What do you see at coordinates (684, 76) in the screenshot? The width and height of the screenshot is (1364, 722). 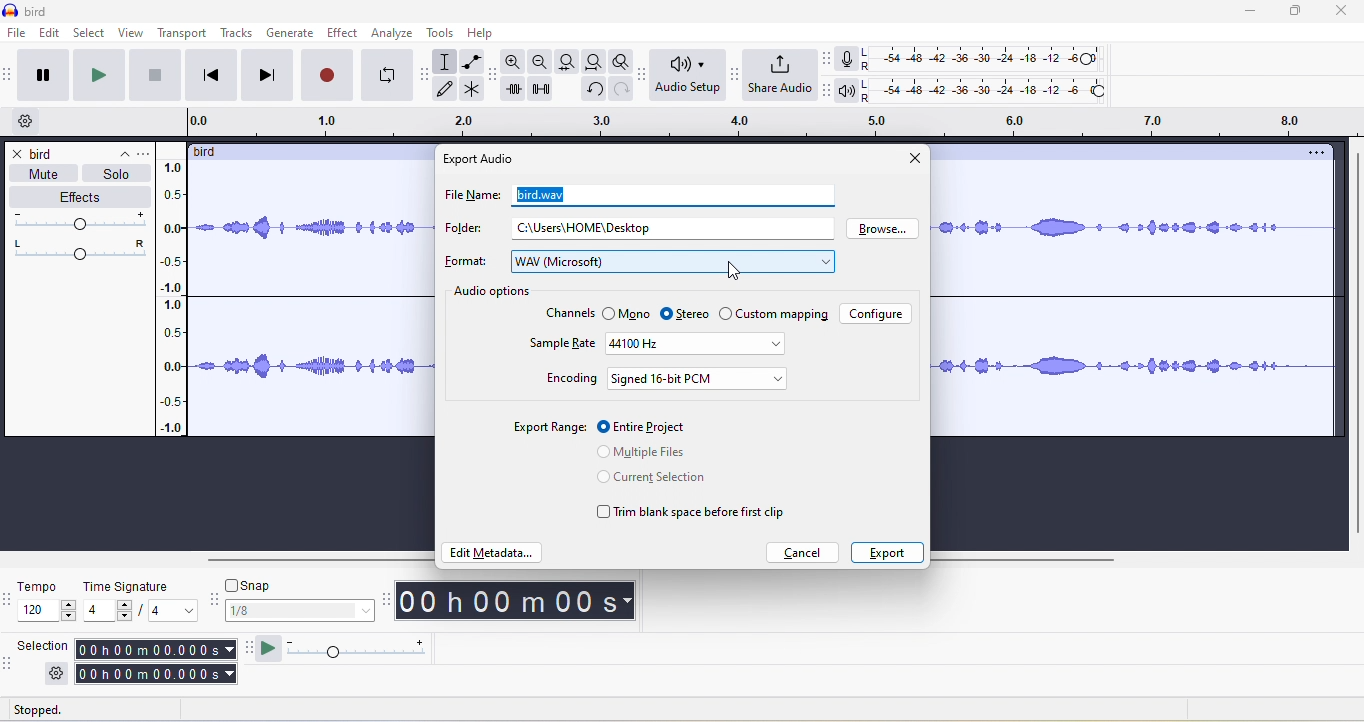 I see `audio setup` at bounding box center [684, 76].